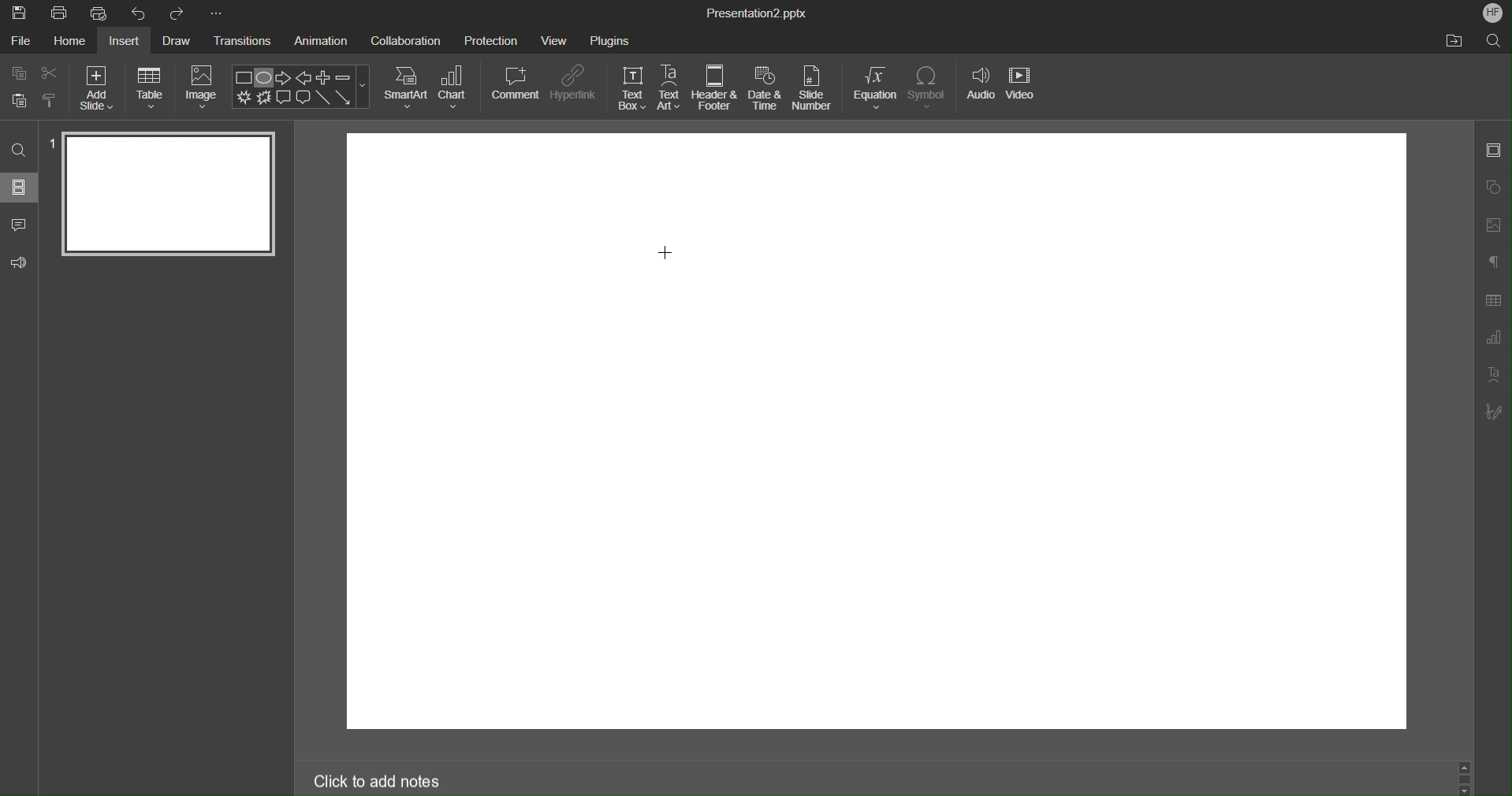 The width and height of the screenshot is (1512, 796). I want to click on Video, so click(1023, 90).